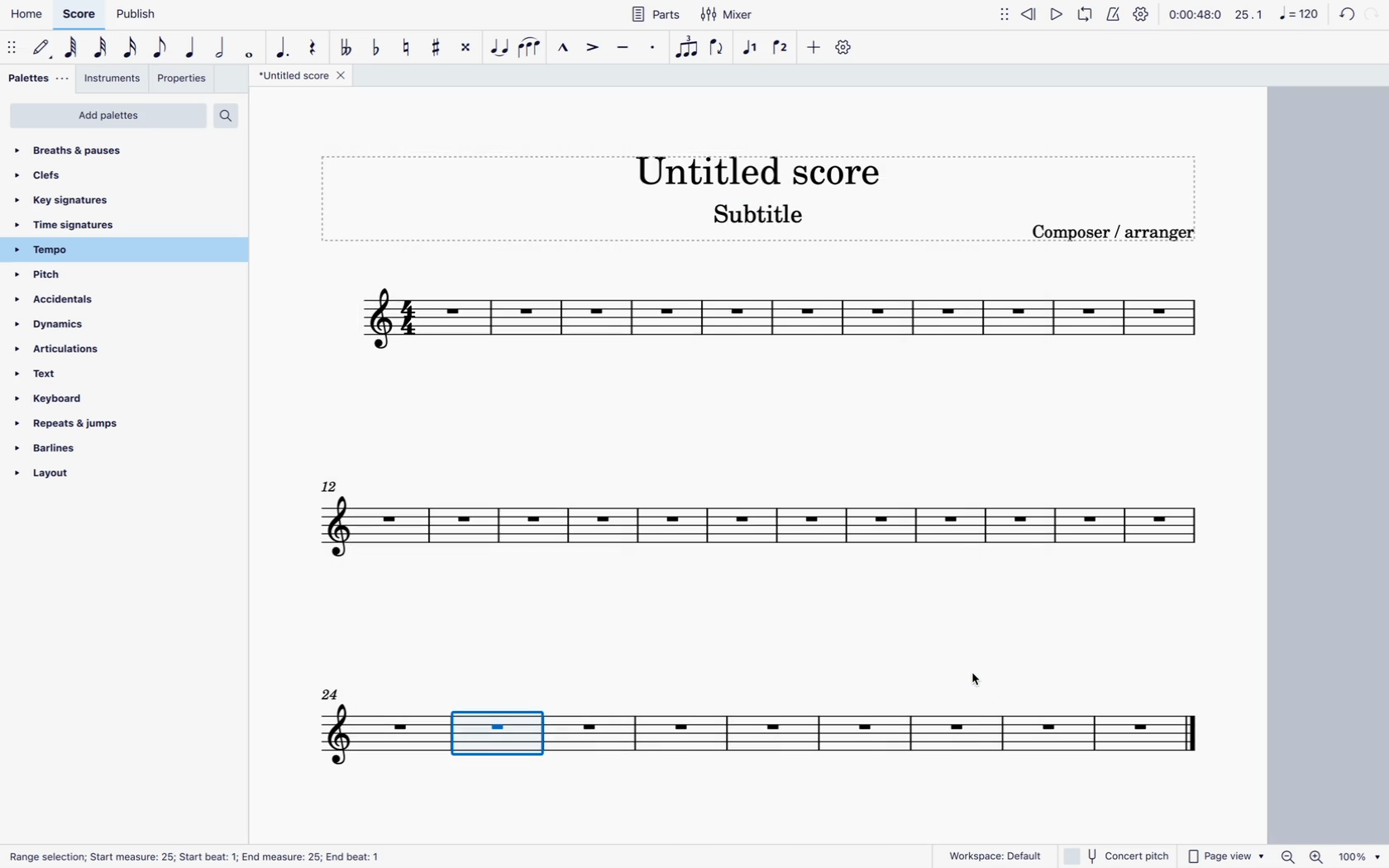 Image resolution: width=1389 pixels, height=868 pixels. What do you see at coordinates (1000, 14) in the screenshot?
I see `move` at bounding box center [1000, 14].